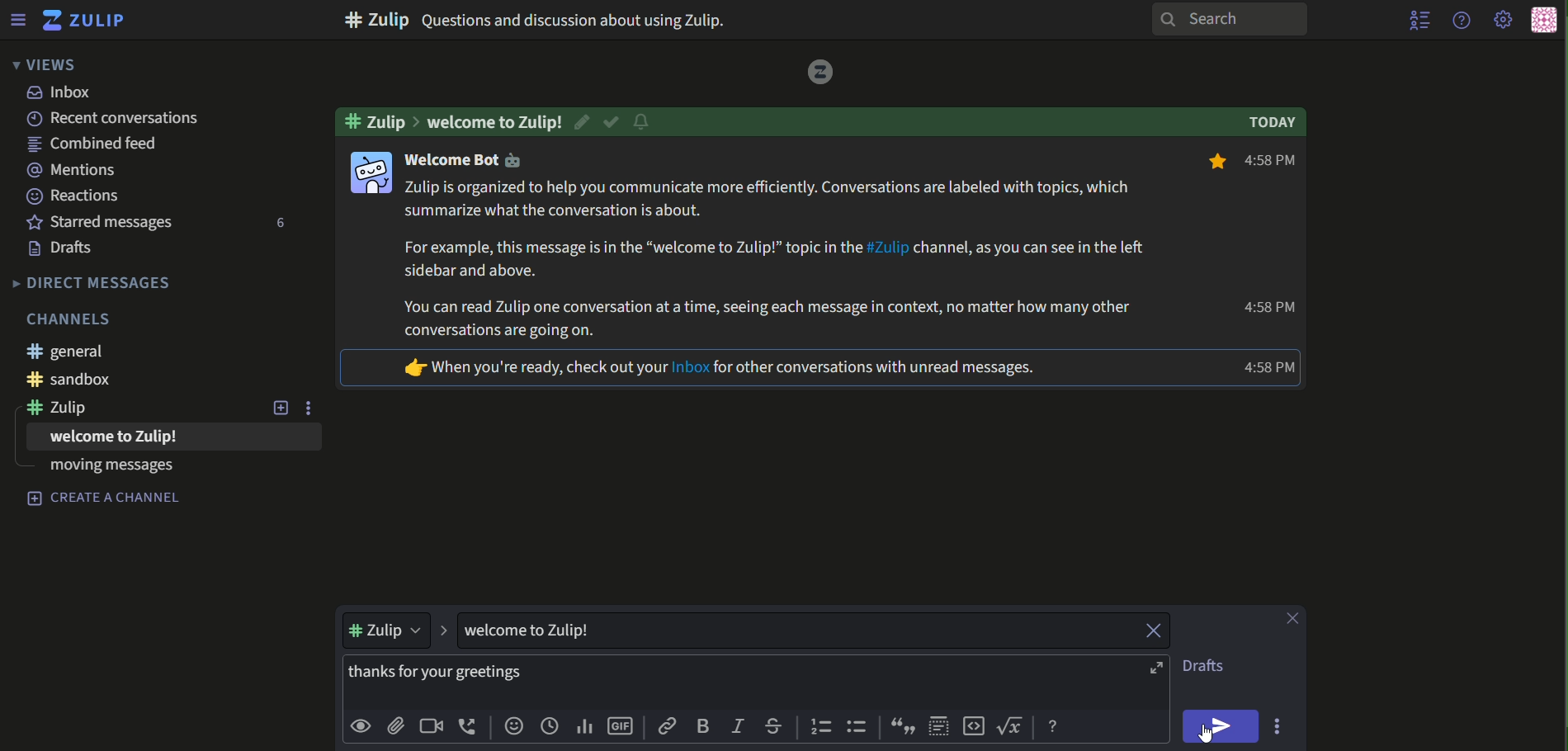 The width and height of the screenshot is (1568, 751). Describe the element at coordinates (705, 725) in the screenshot. I see `bold` at that location.